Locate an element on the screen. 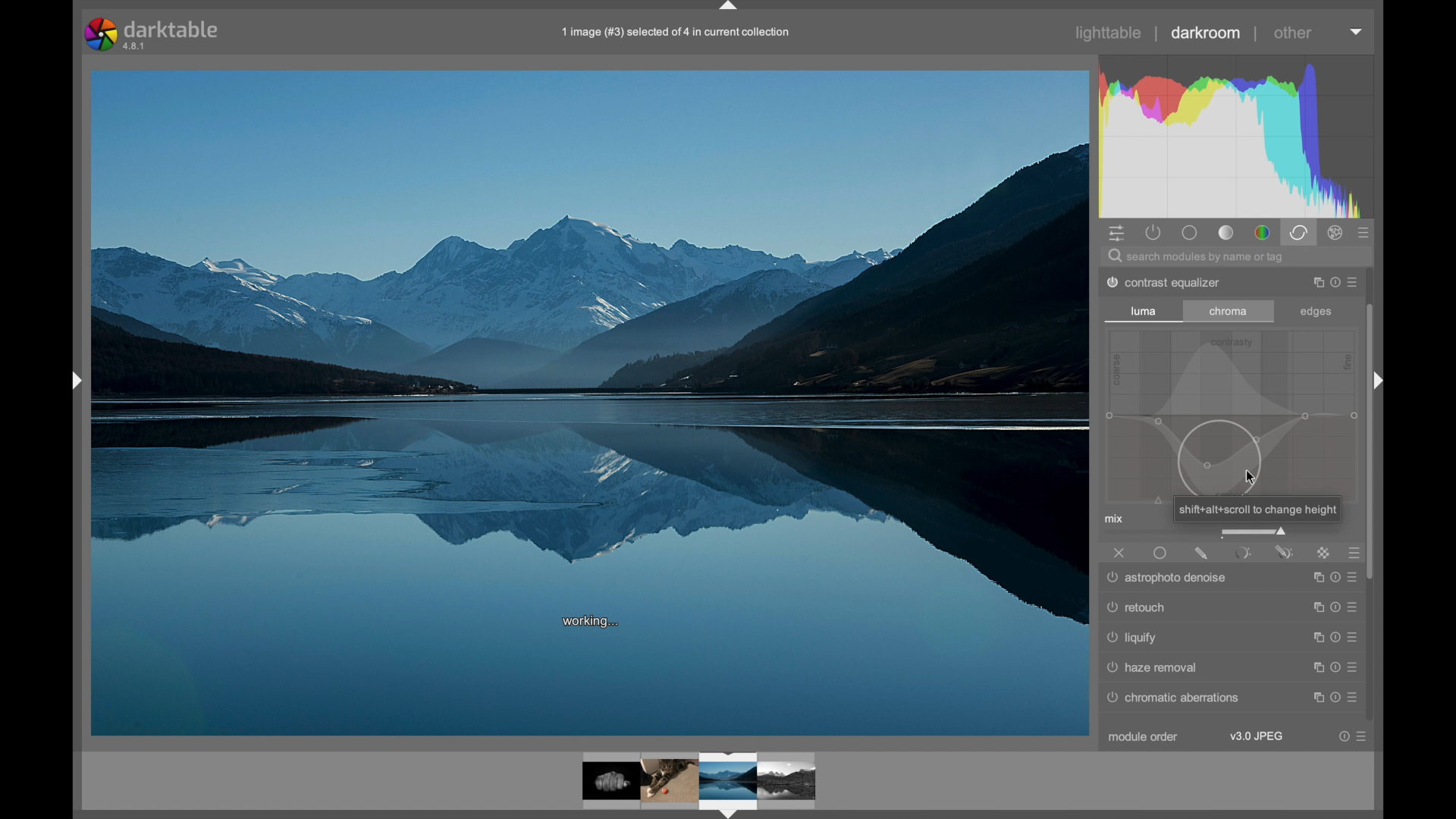  parametric mask is located at coordinates (1242, 553).